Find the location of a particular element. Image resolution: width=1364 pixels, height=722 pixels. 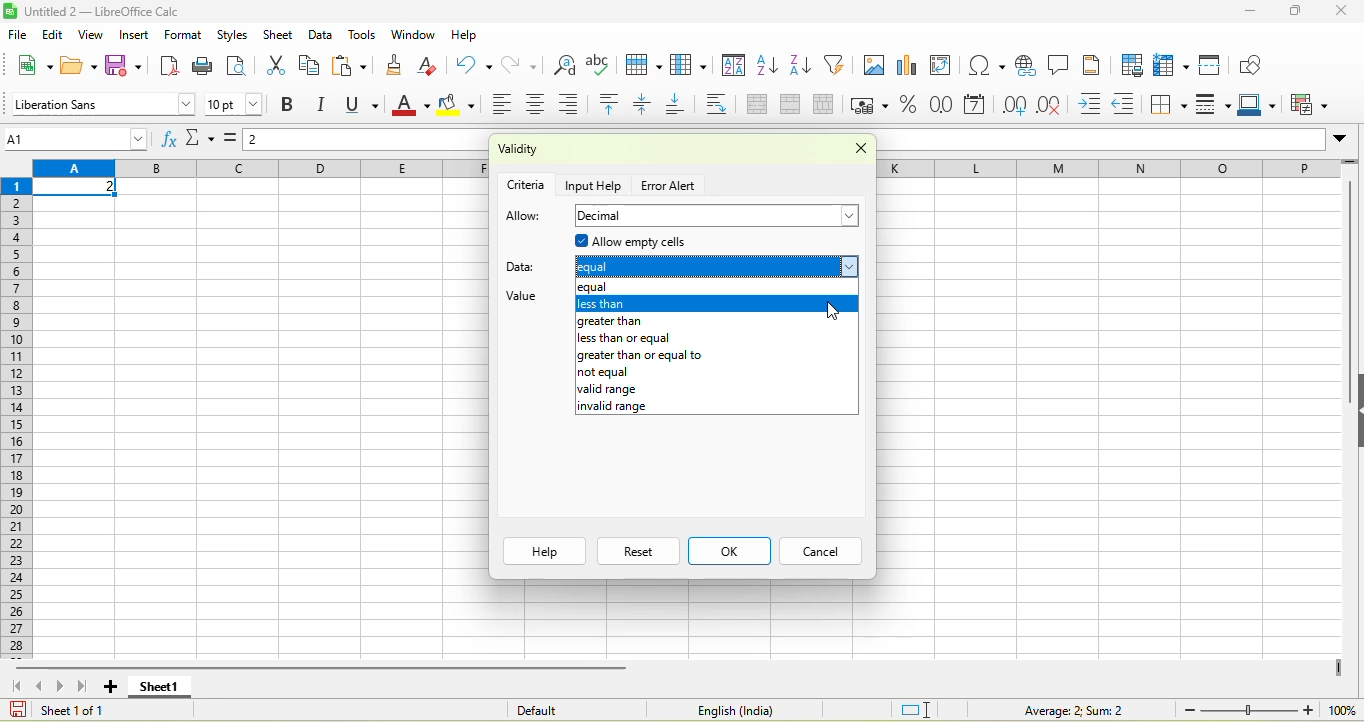

add decimal is located at coordinates (1015, 105).